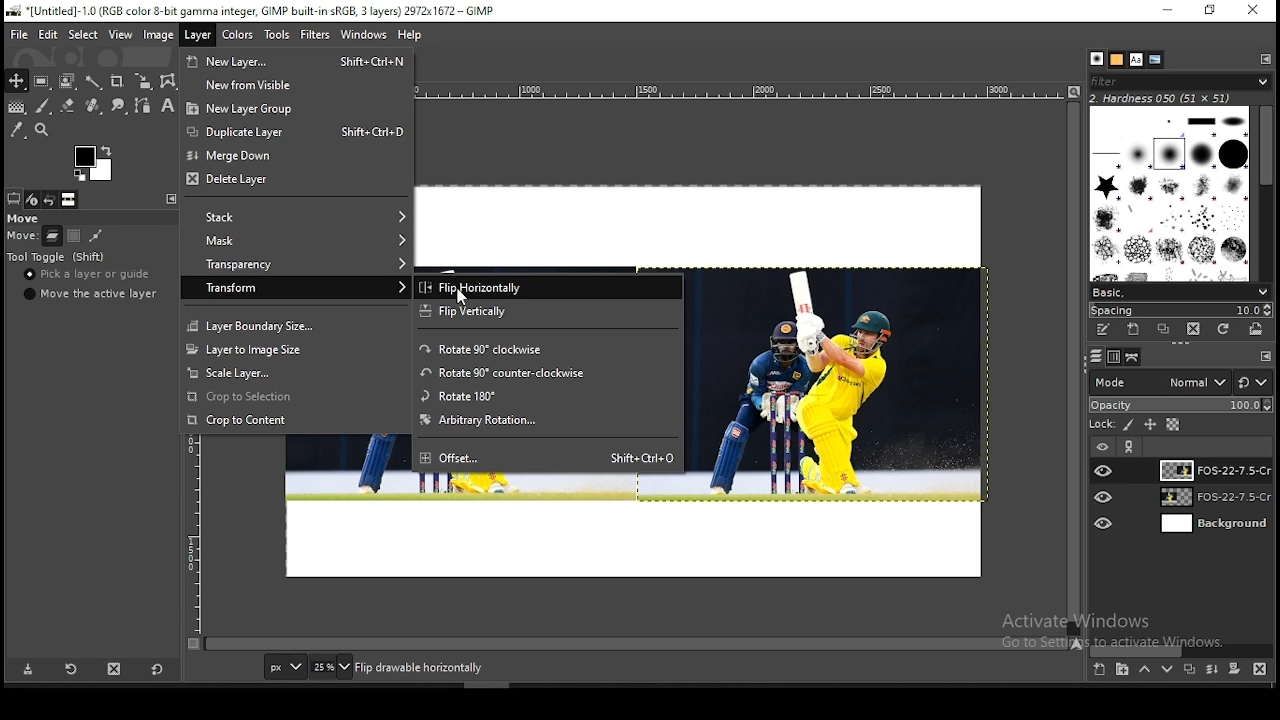  Describe the element at coordinates (296, 262) in the screenshot. I see `transperancy` at that location.